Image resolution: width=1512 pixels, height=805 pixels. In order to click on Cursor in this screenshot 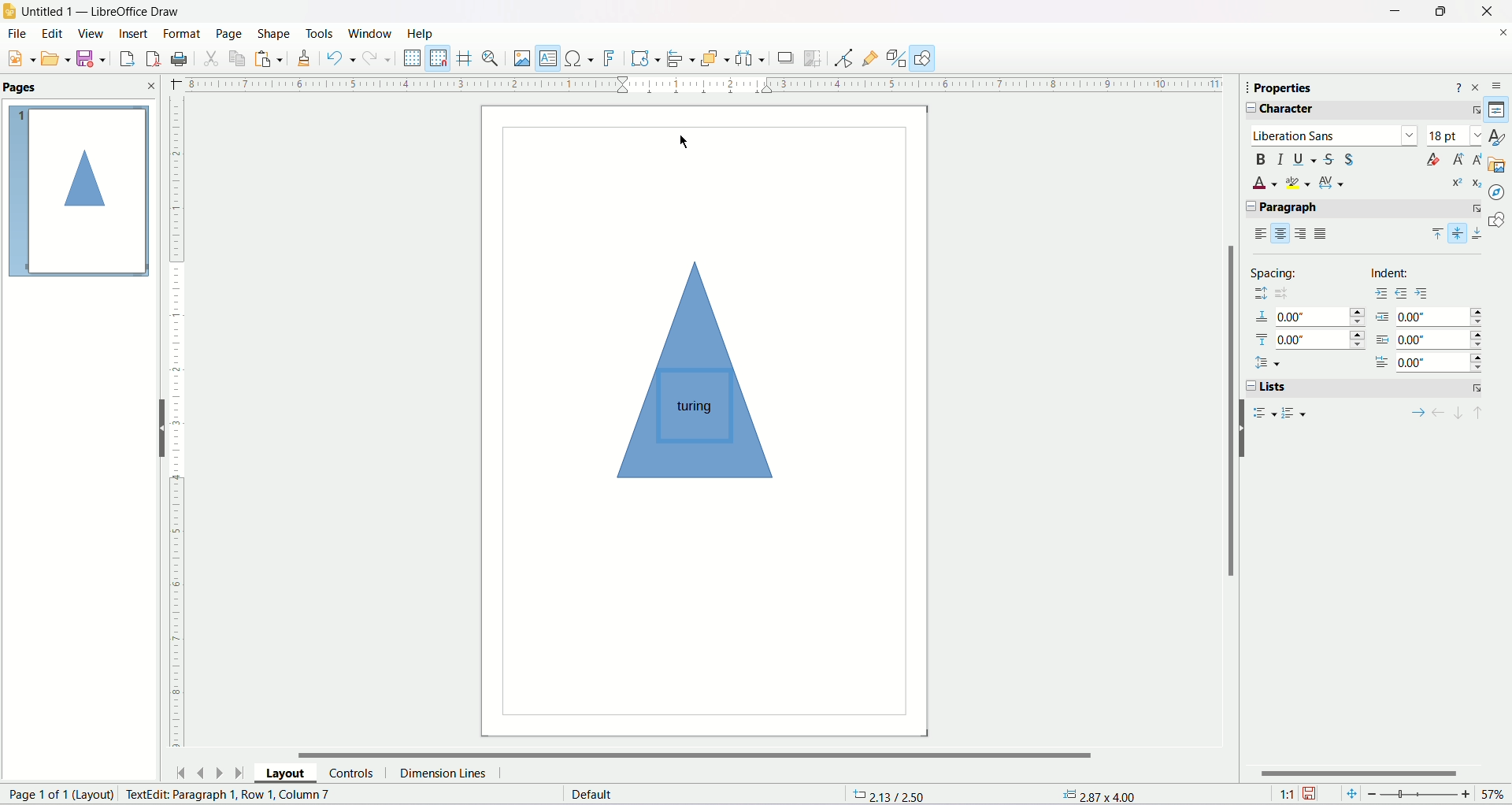, I will do `click(676, 142)`.